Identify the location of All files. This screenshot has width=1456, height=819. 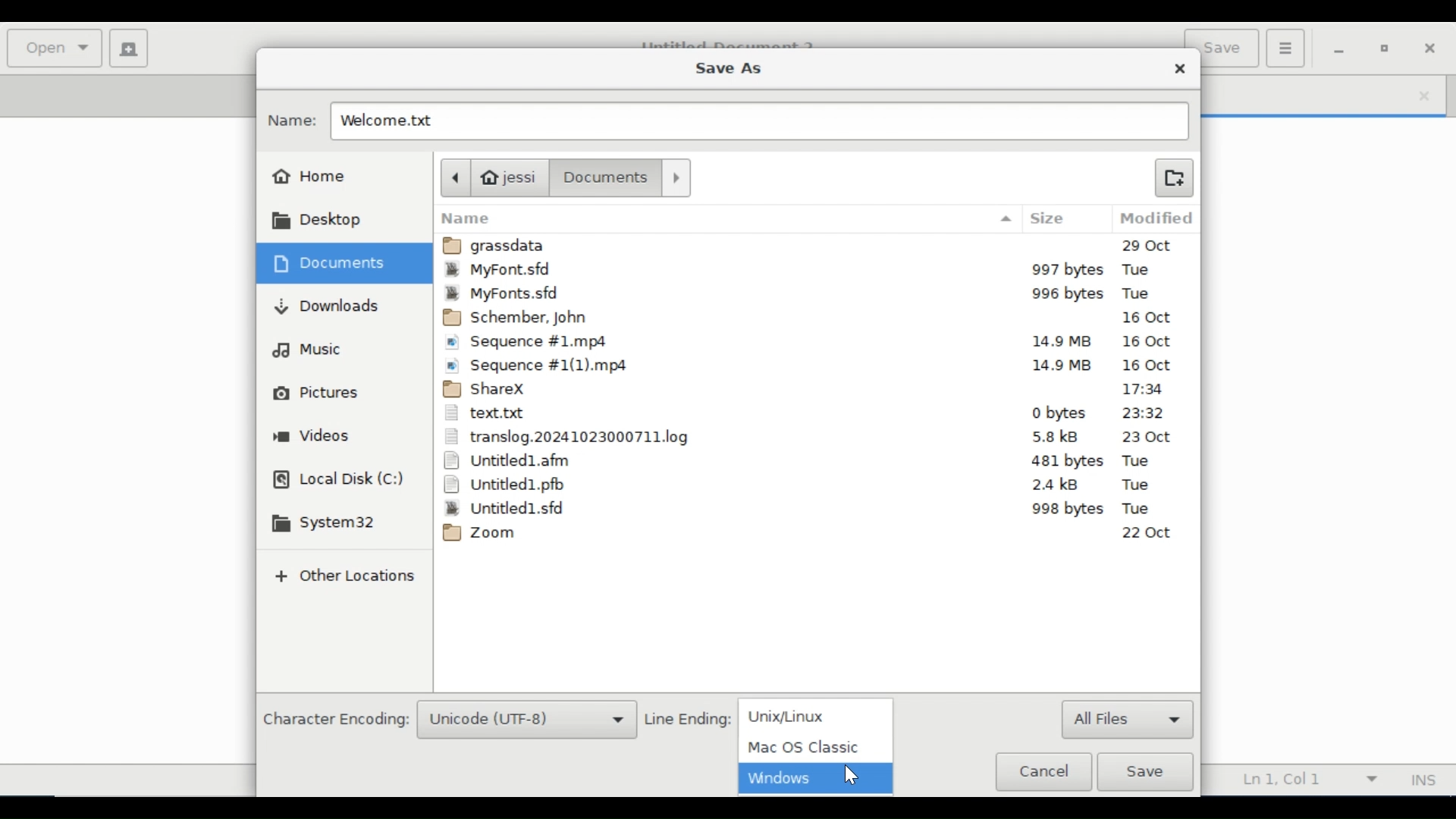
(1128, 718).